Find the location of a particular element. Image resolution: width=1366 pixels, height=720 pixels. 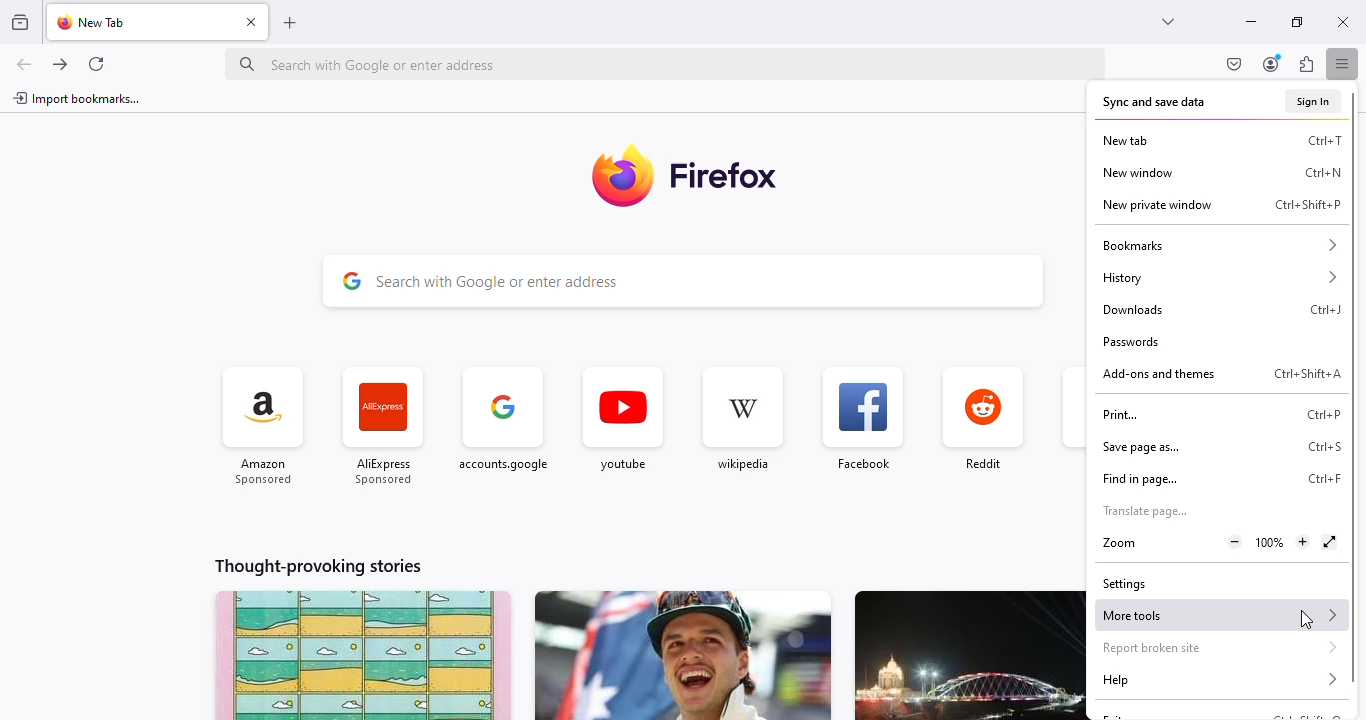

reset zoom level is located at coordinates (1270, 543).